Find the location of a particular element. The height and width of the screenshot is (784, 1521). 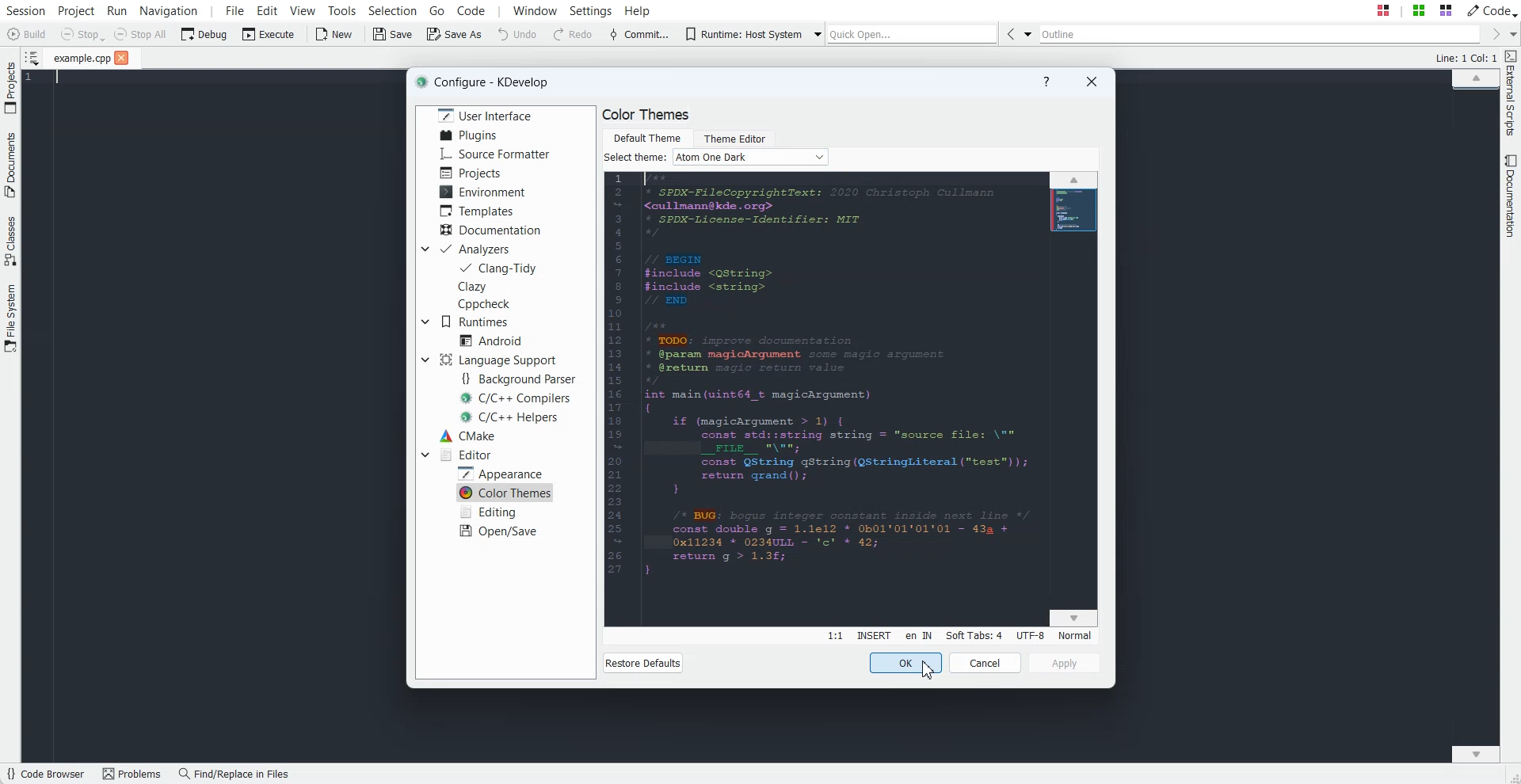

Text is located at coordinates (489, 82).